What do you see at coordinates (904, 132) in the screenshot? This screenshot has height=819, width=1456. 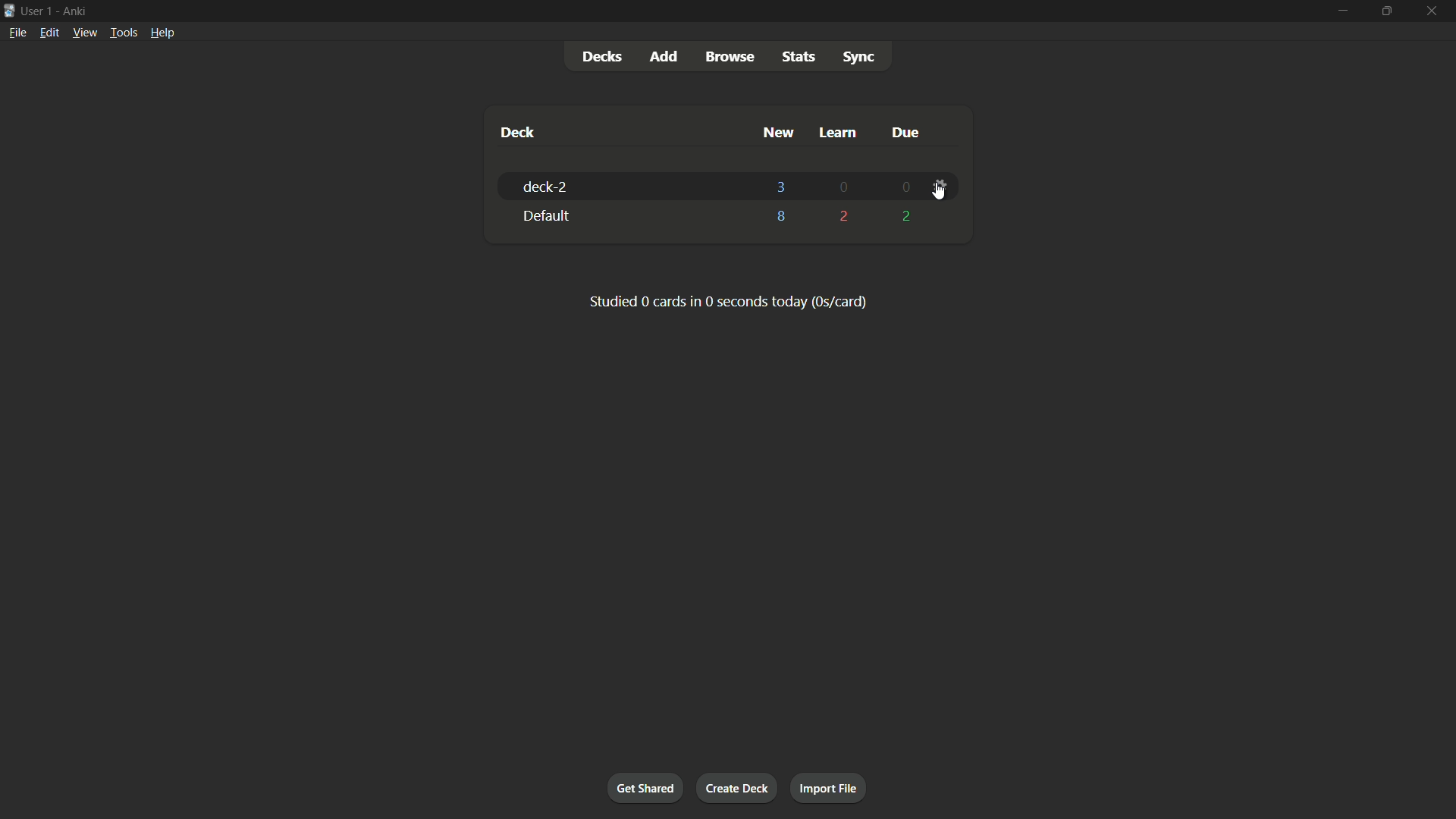 I see `due` at bounding box center [904, 132].